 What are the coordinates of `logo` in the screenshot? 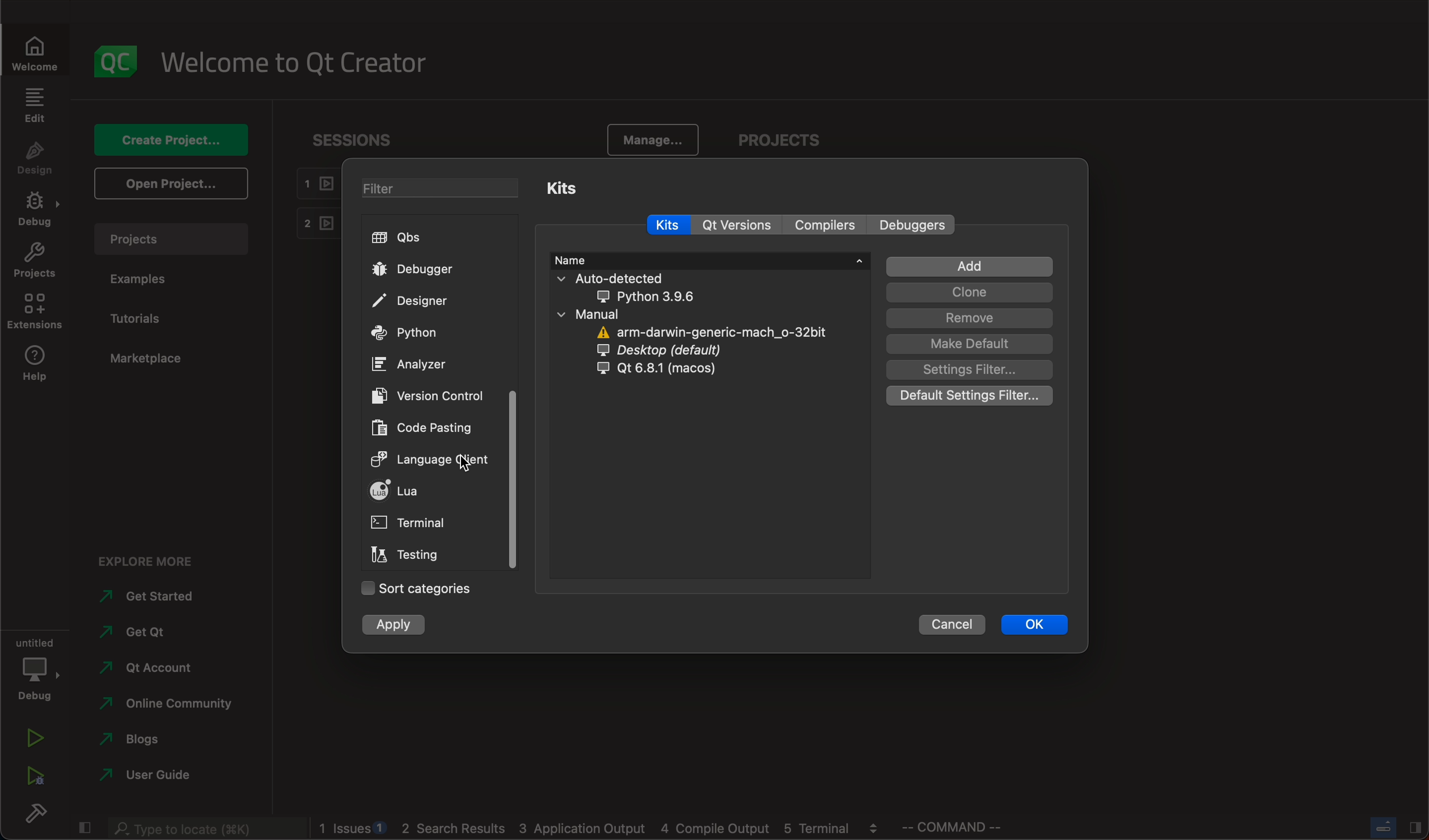 It's located at (119, 61).